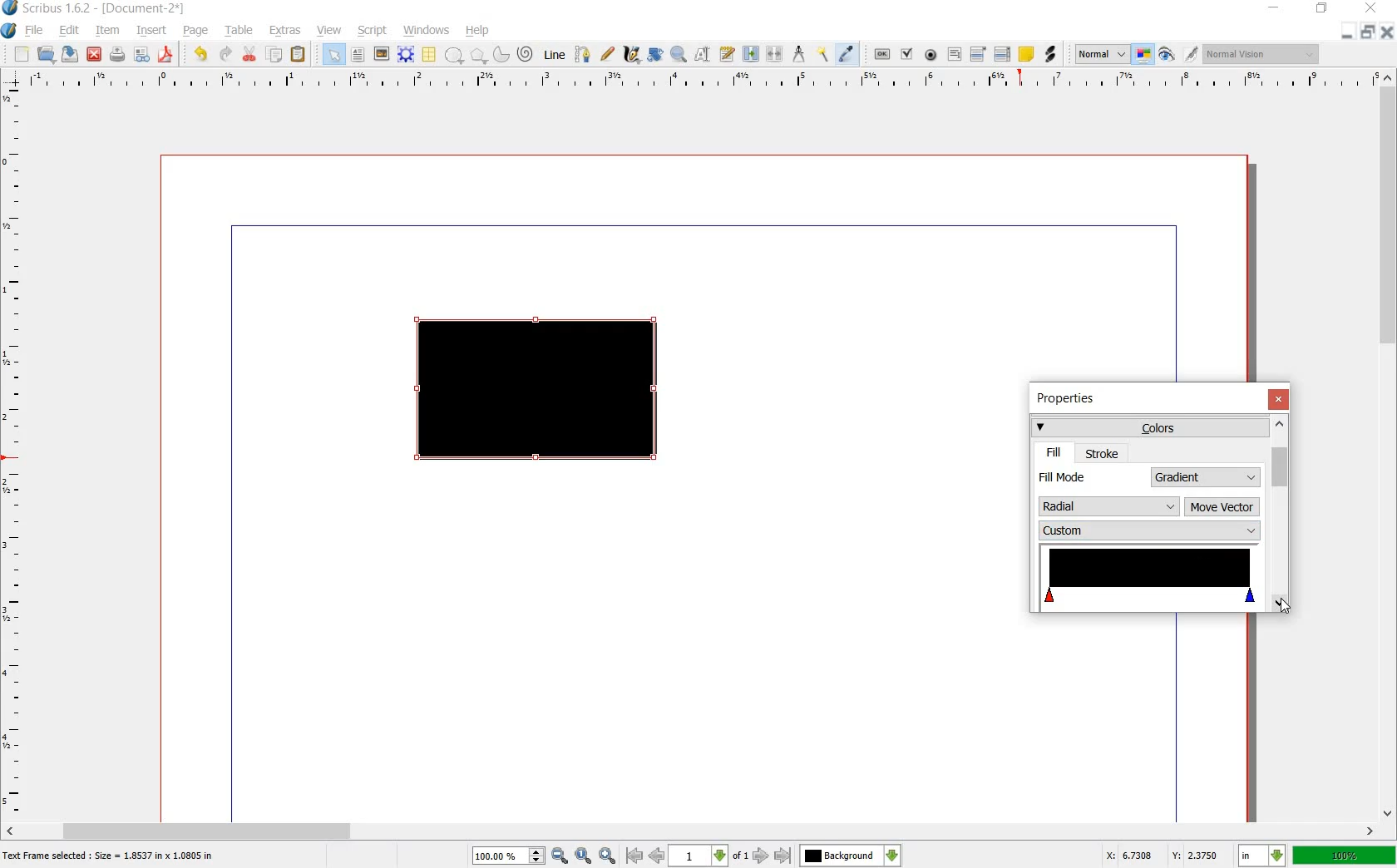 Image resolution: width=1397 pixels, height=868 pixels. Describe the element at coordinates (1278, 399) in the screenshot. I see `close` at that location.